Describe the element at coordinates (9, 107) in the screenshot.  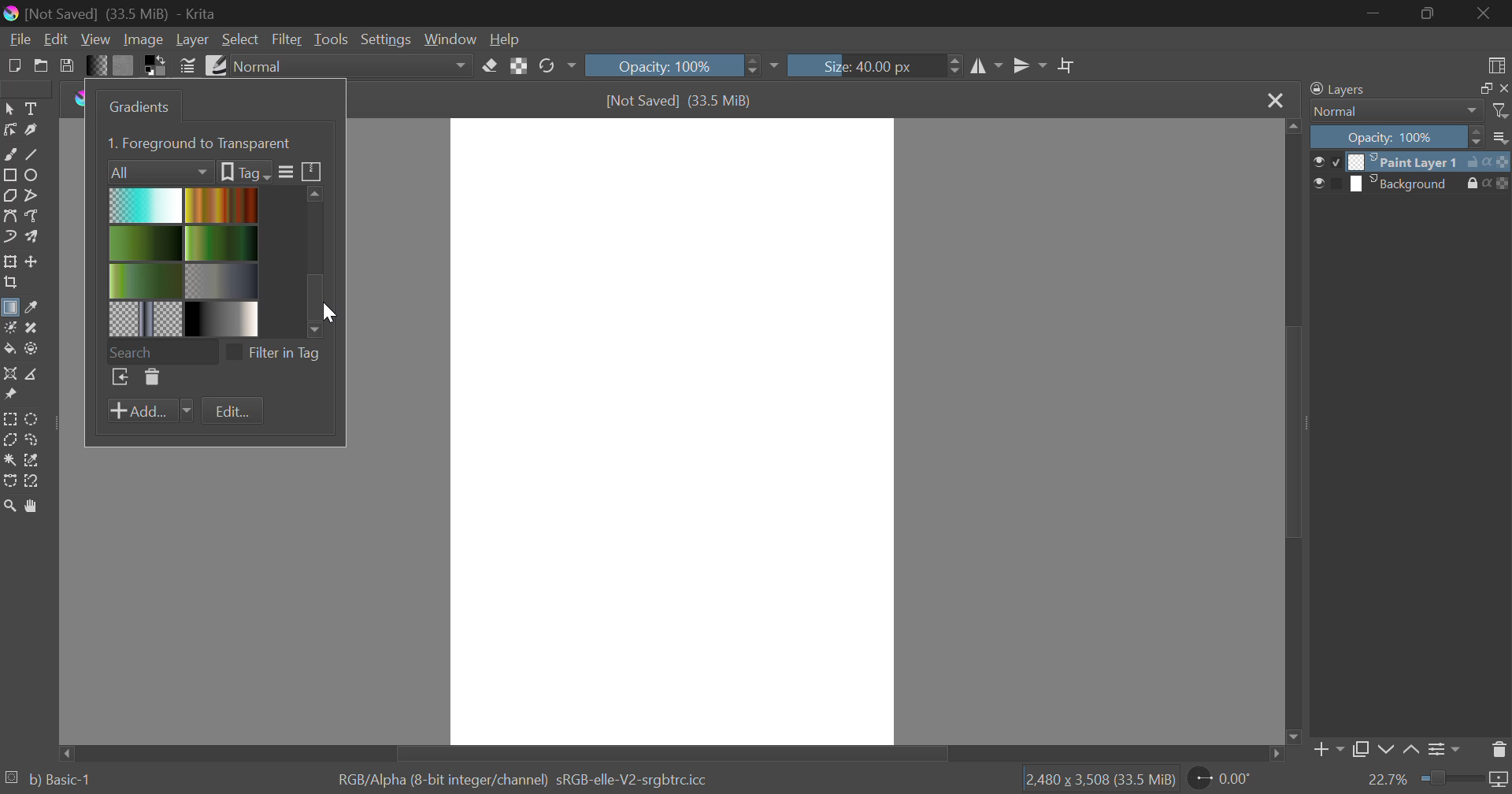
I see `Select` at that location.